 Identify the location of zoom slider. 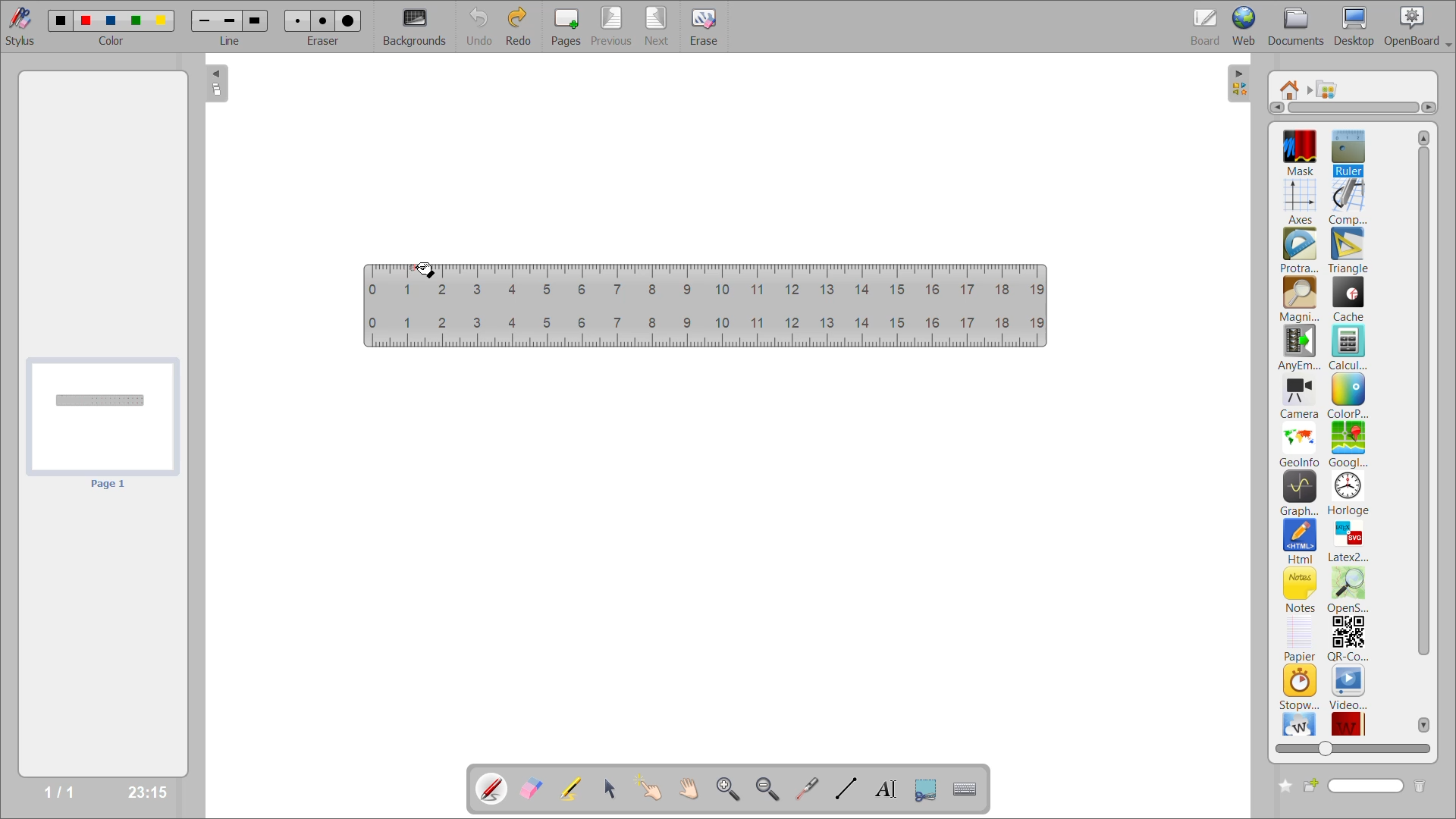
(1350, 746).